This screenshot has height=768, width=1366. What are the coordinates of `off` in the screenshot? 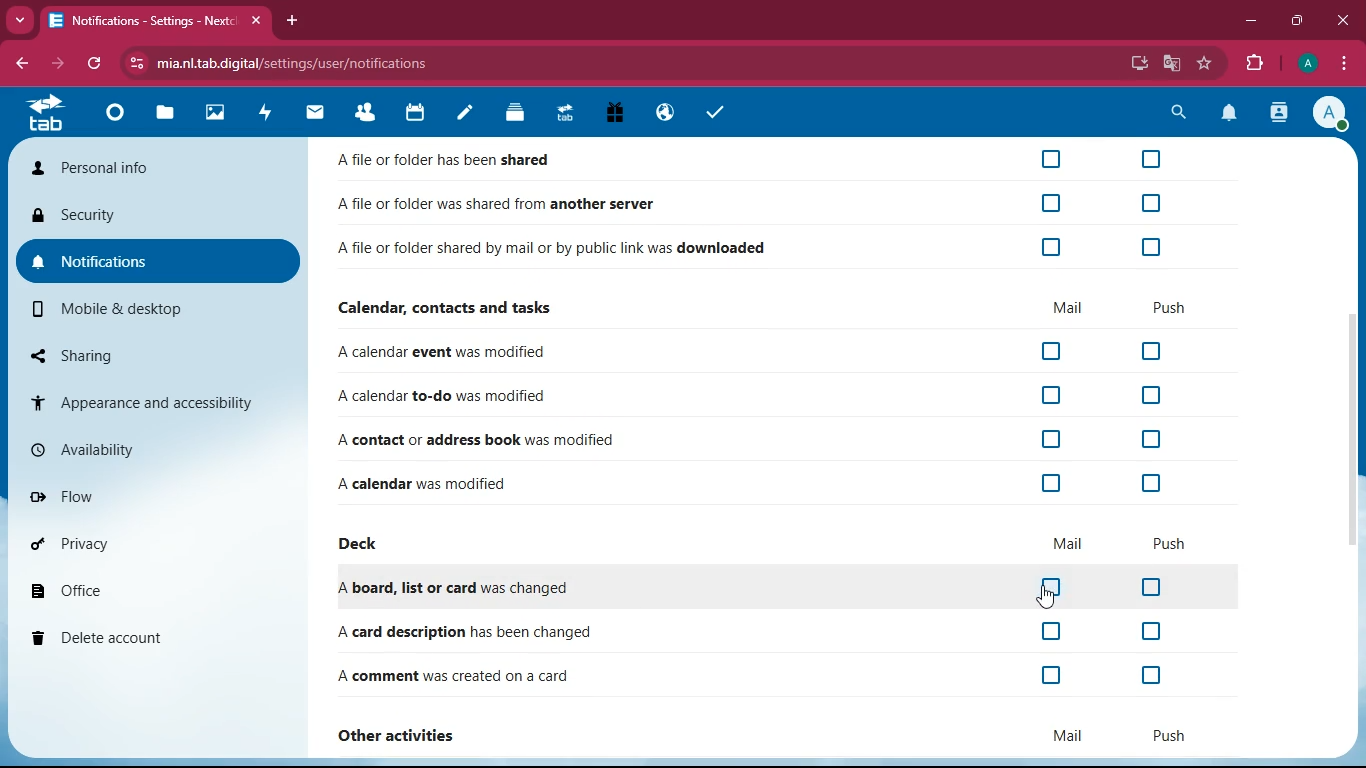 It's located at (1150, 434).